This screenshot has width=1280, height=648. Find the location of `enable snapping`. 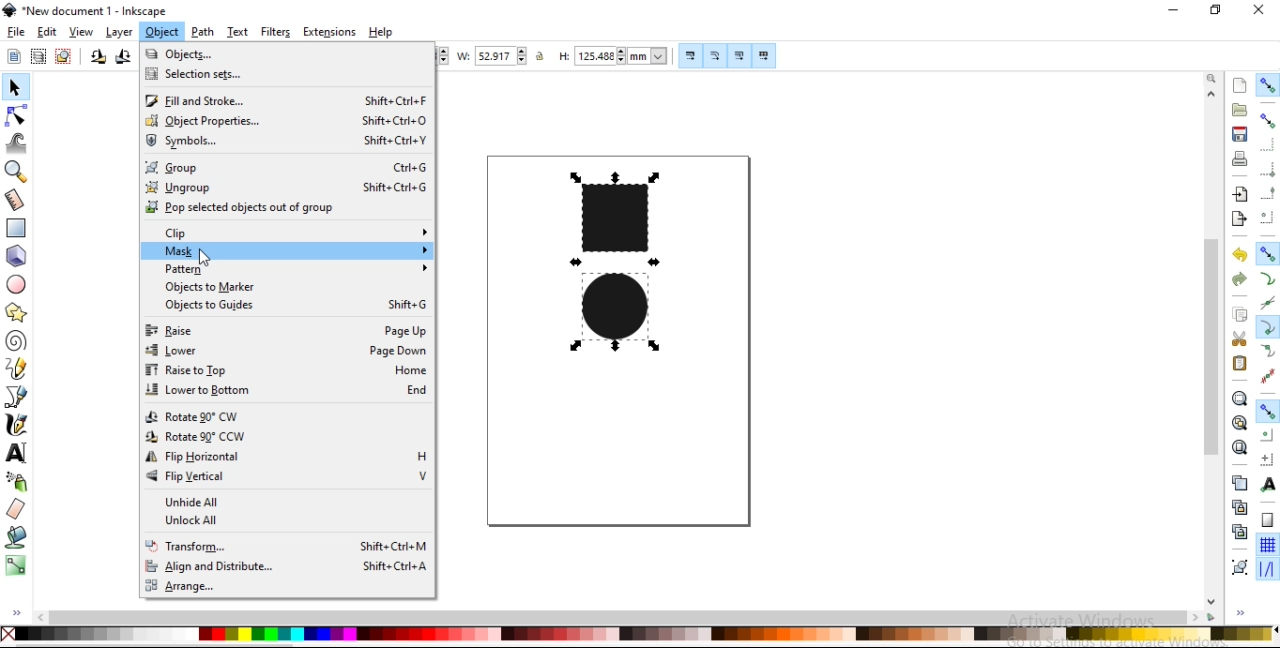

enable snapping is located at coordinates (1269, 85).